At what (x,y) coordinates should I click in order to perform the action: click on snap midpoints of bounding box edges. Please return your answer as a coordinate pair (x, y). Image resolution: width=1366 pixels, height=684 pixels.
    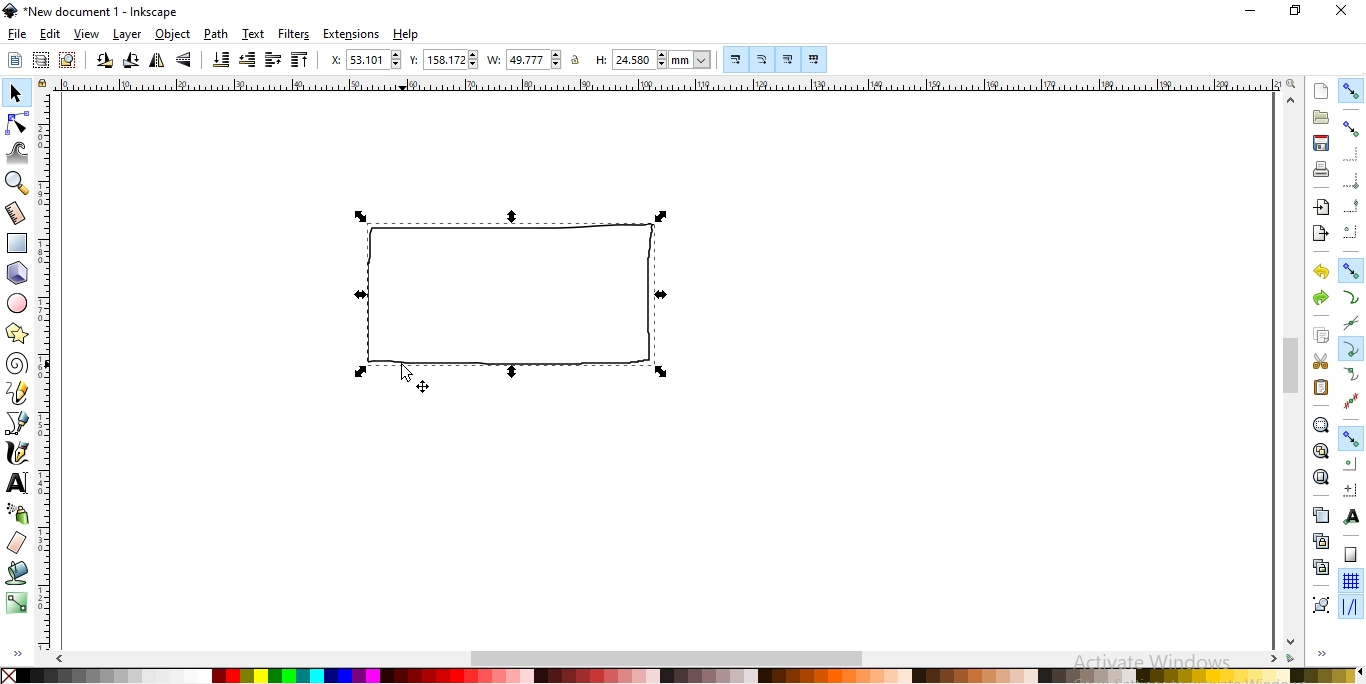
    Looking at the image, I should click on (1352, 204).